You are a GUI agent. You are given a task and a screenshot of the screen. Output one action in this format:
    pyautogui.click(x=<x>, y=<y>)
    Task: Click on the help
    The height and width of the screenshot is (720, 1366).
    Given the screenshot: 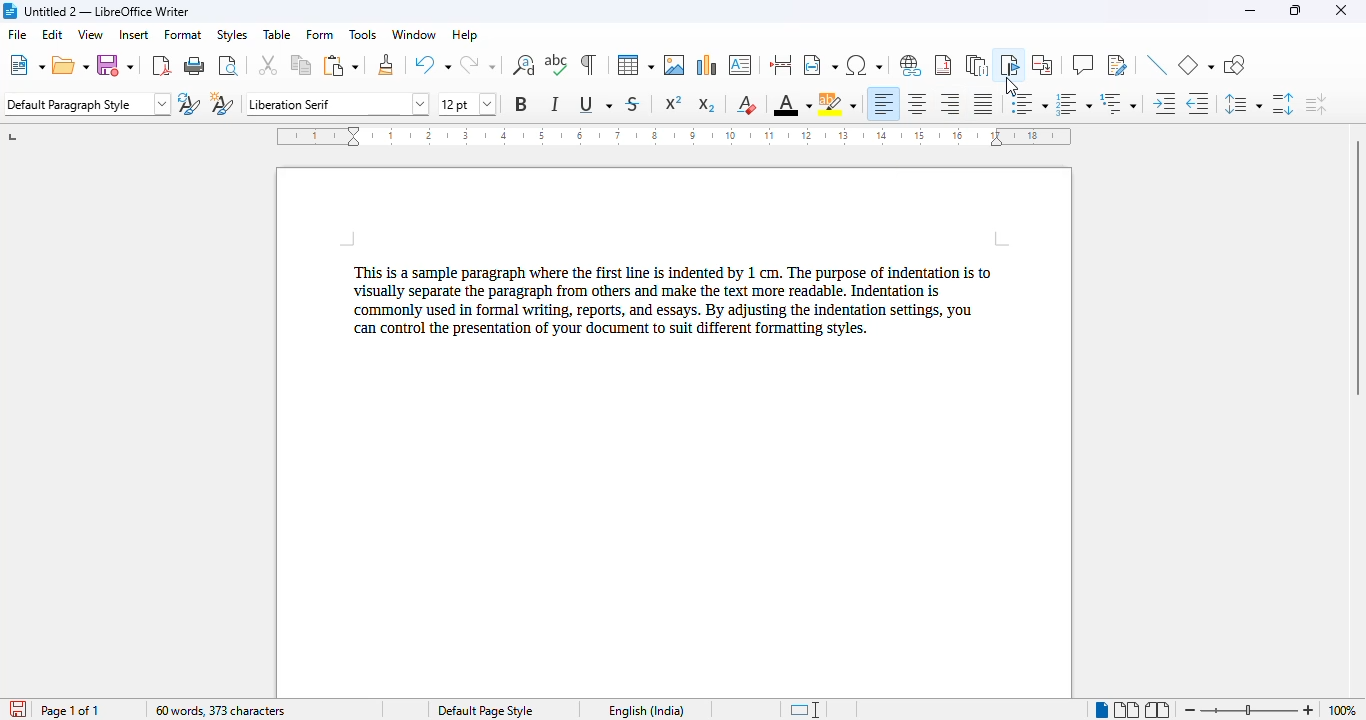 What is the action you would take?
    pyautogui.click(x=465, y=35)
    